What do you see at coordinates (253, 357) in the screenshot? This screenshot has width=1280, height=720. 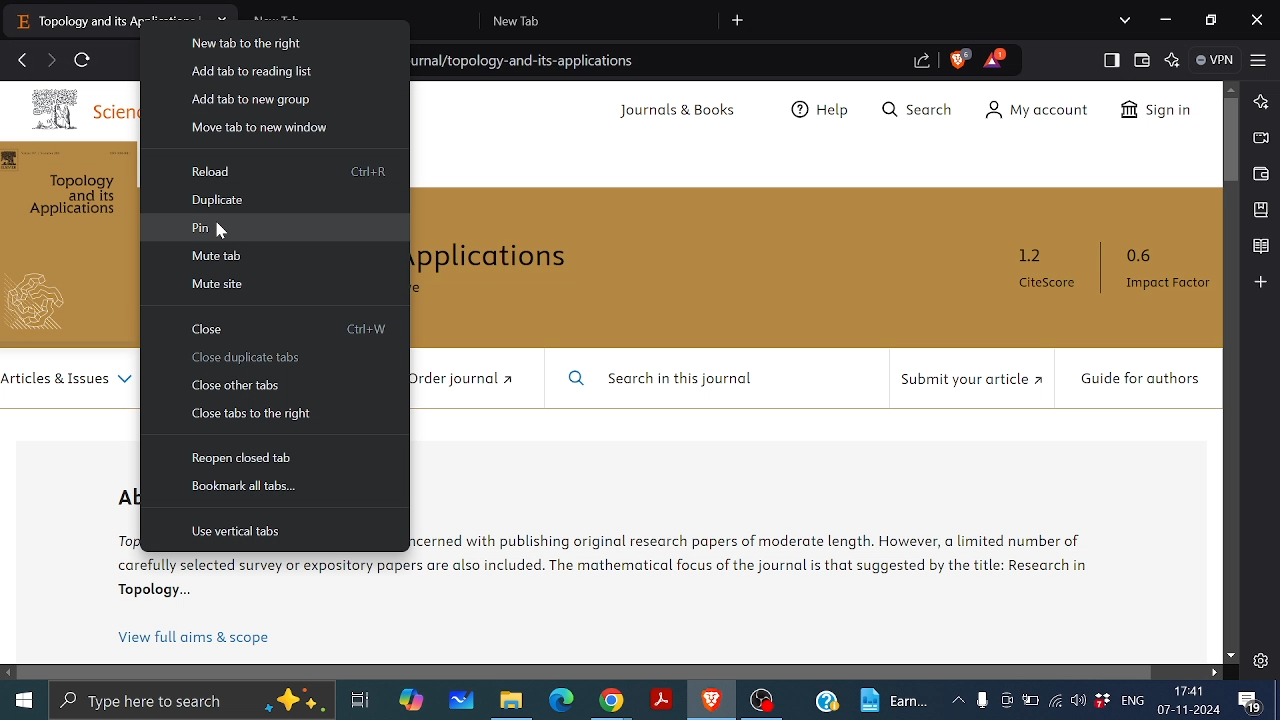 I see `Close duplicate tabs` at bounding box center [253, 357].